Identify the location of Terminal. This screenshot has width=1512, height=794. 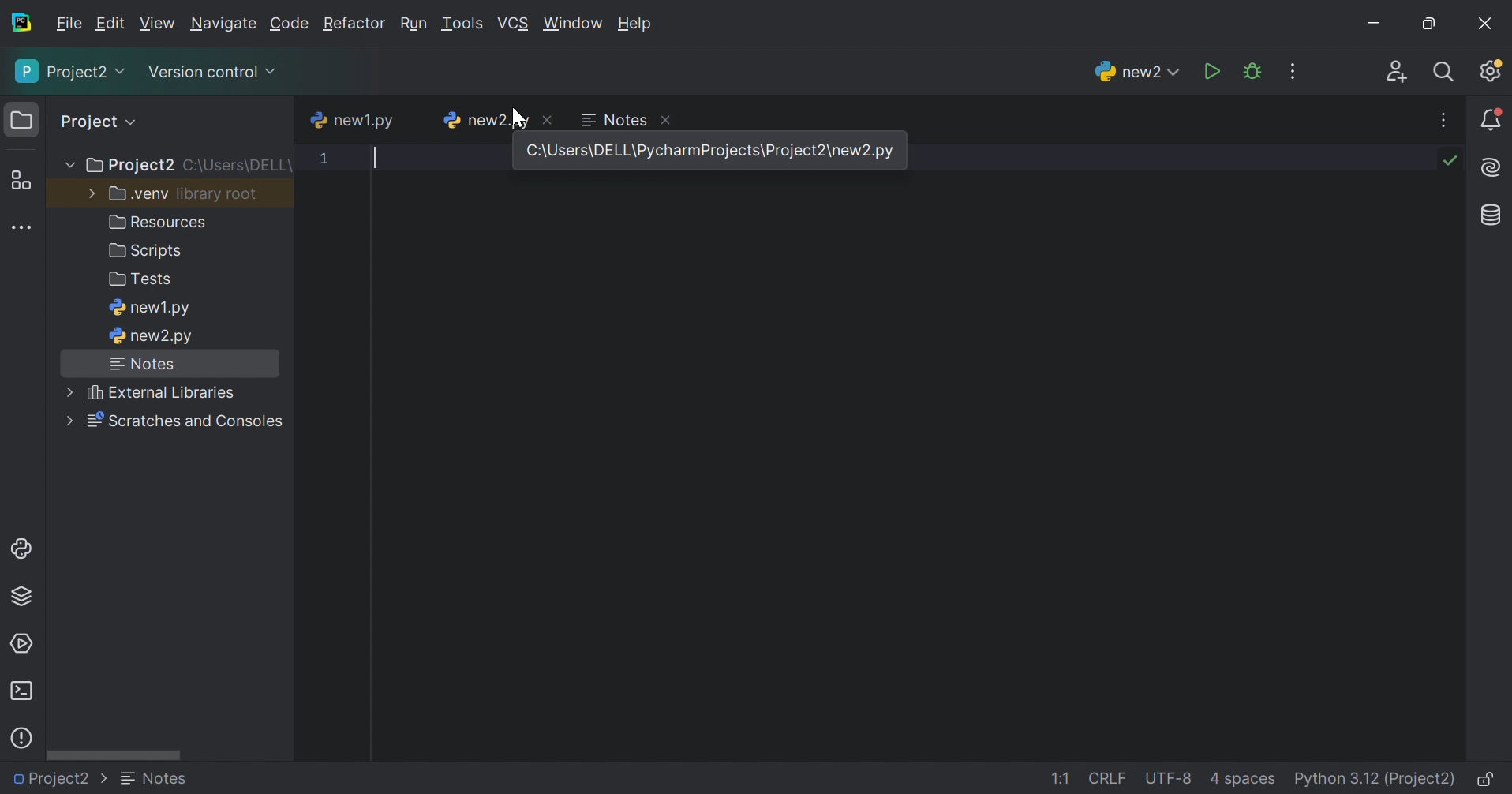
(22, 691).